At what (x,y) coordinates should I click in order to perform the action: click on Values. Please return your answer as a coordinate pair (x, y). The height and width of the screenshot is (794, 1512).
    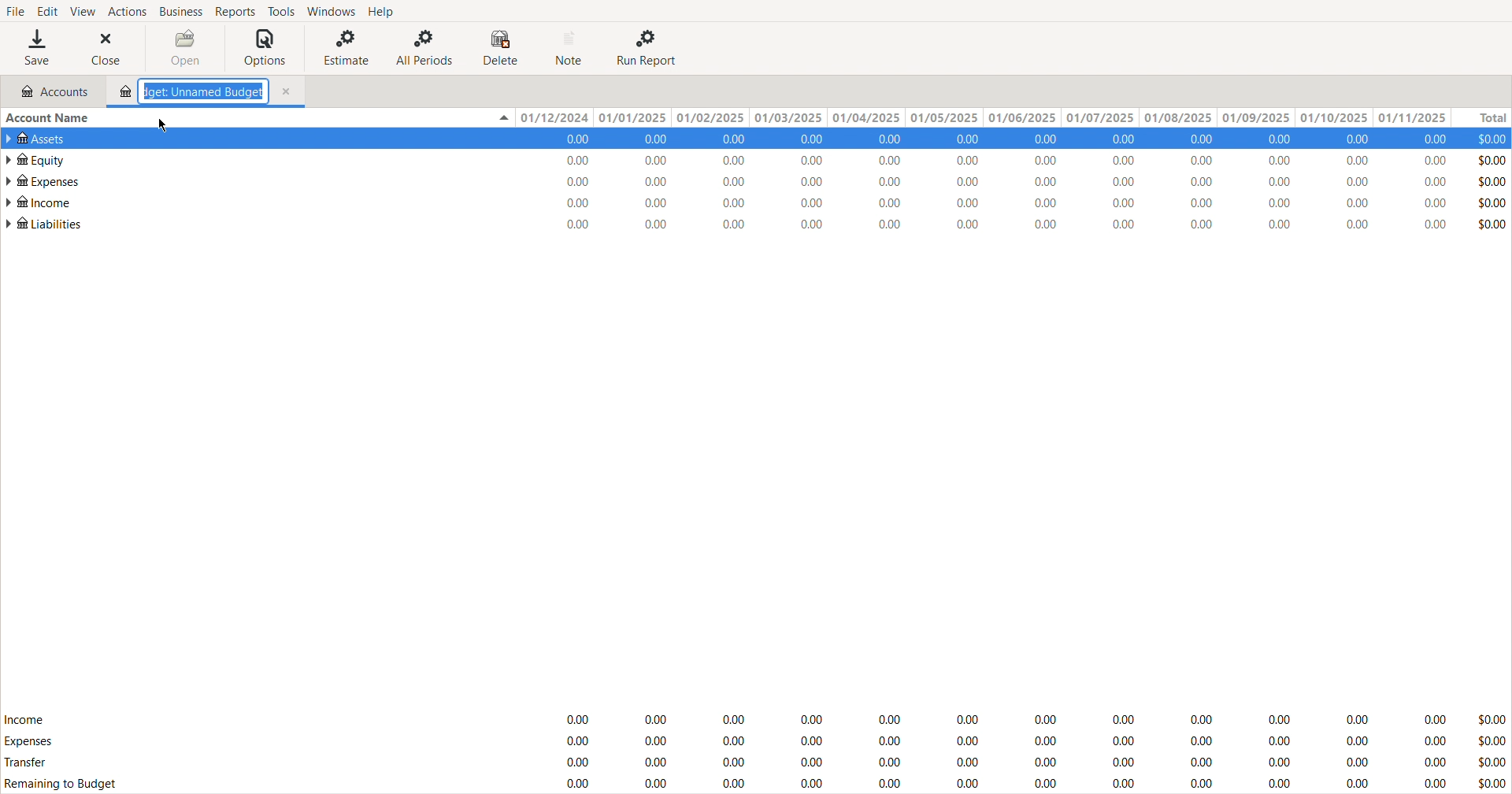
    Looking at the image, I should click on (1031, 748).